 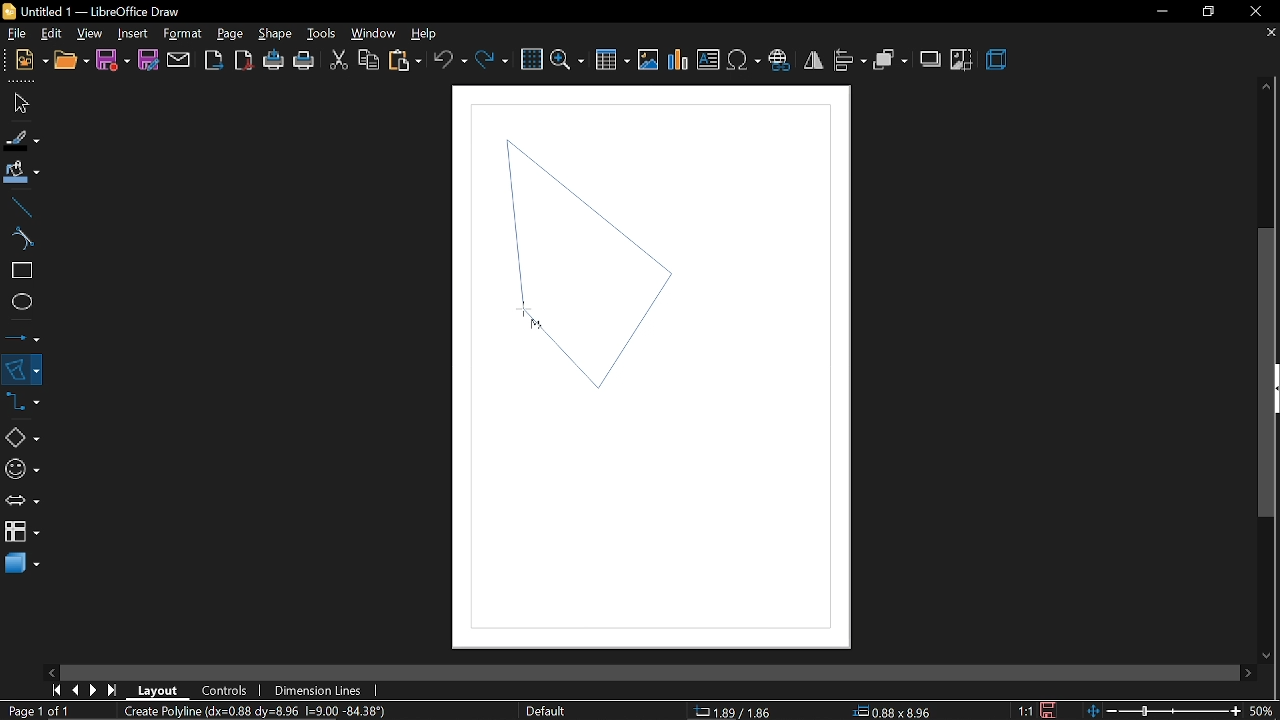 I want to click on move left, so click(x=51, y=671).